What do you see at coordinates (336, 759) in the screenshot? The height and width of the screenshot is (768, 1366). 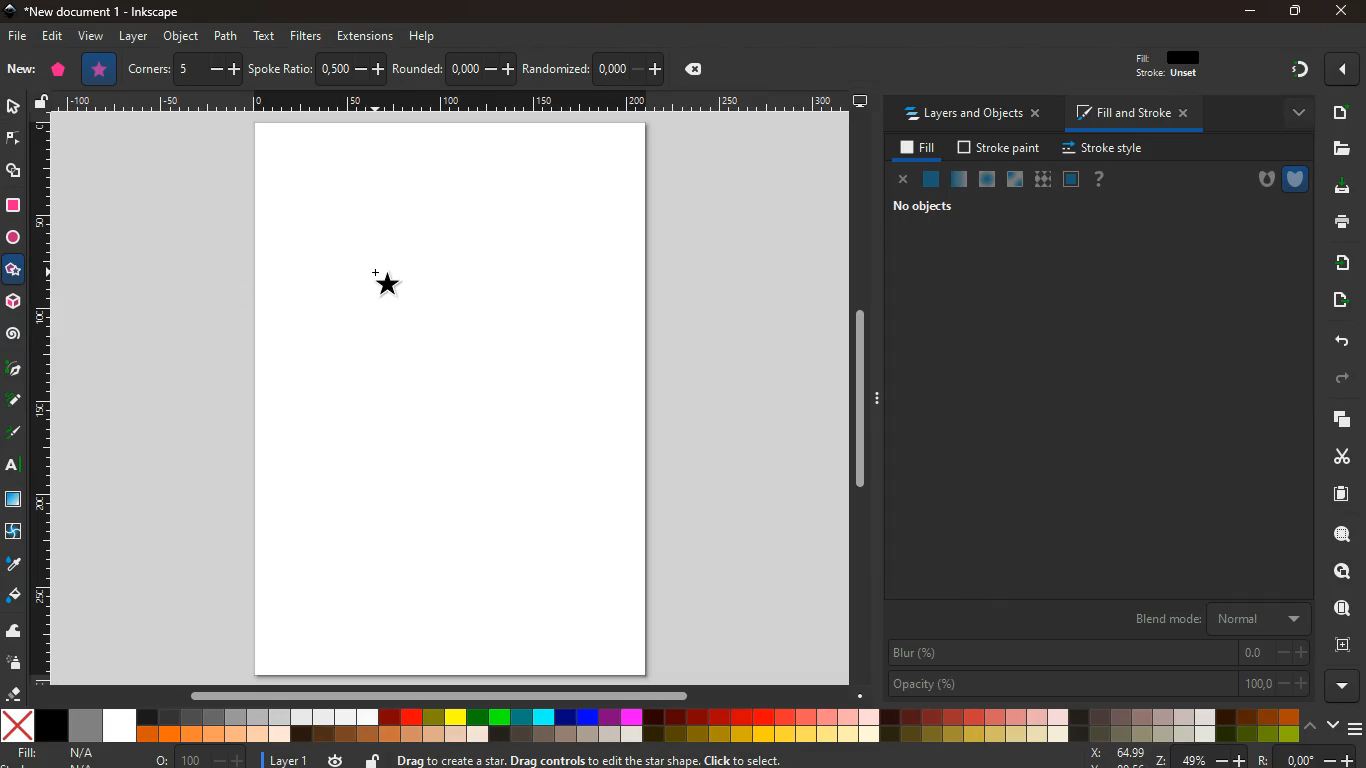 I see `time` at bounding box center [336, 759].